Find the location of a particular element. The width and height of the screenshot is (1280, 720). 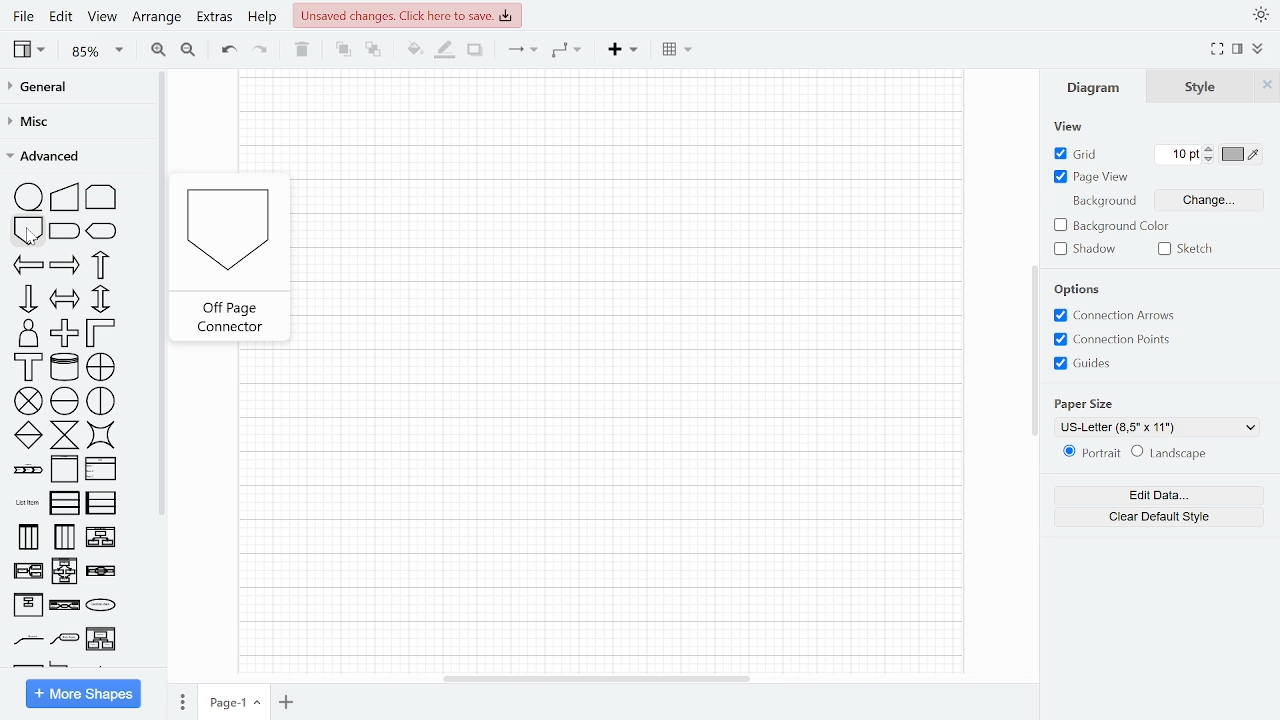

sum is located at coordinates (30, 402).